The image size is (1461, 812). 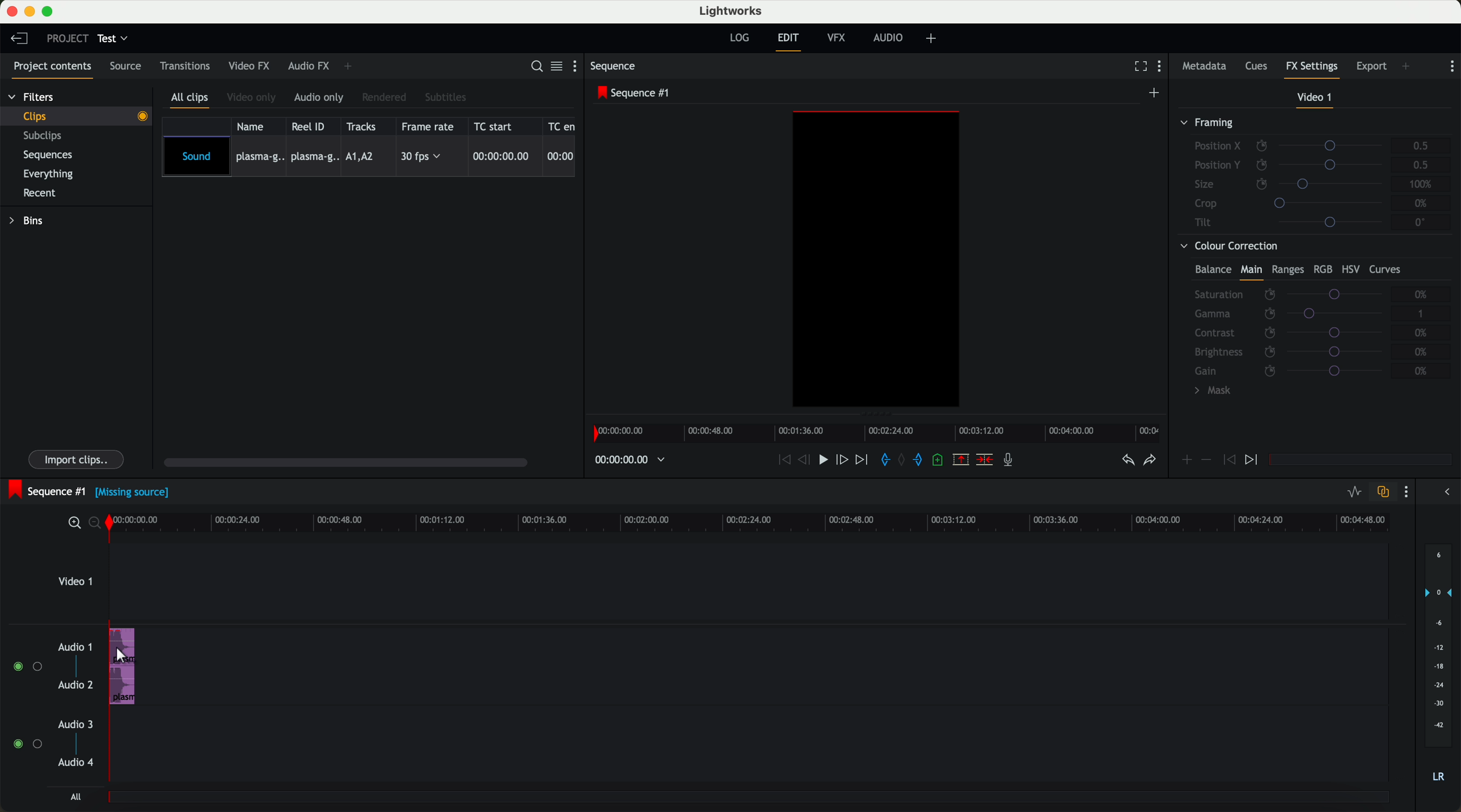 I want to click on toggle audio levels editing, so click(x=1354, y=492).